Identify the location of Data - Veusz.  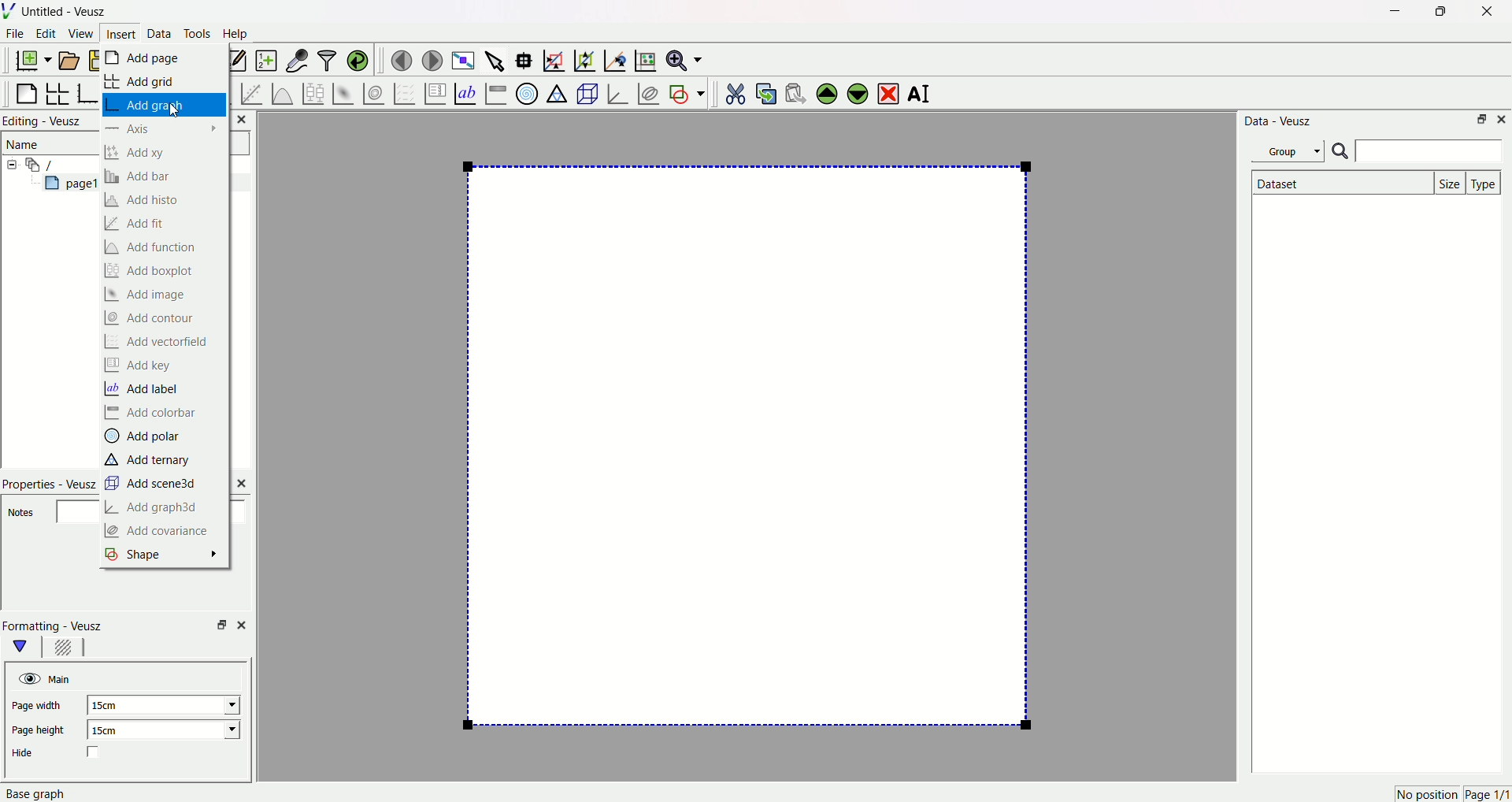
(1280, 122).